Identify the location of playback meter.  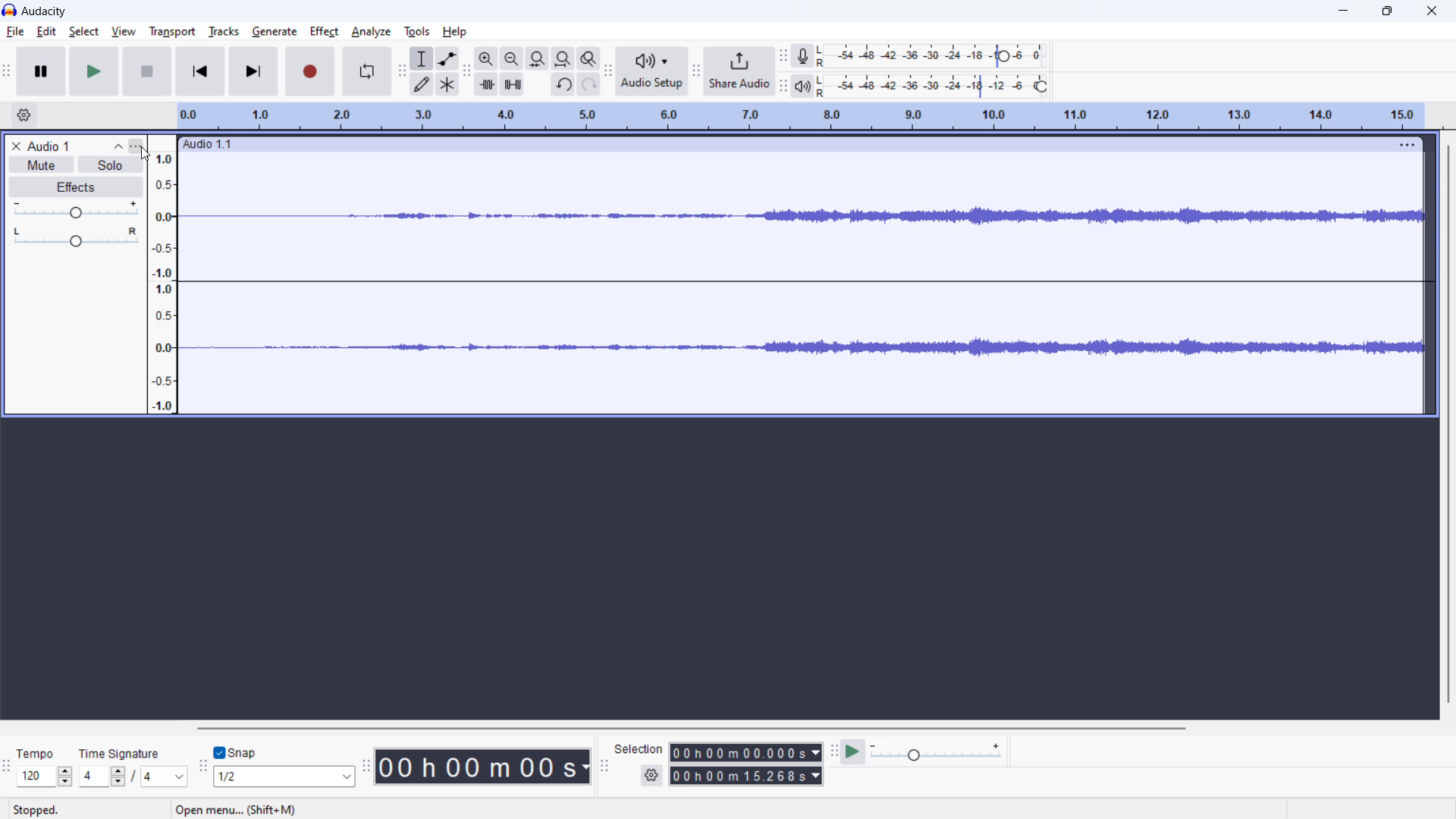
(804, 86).